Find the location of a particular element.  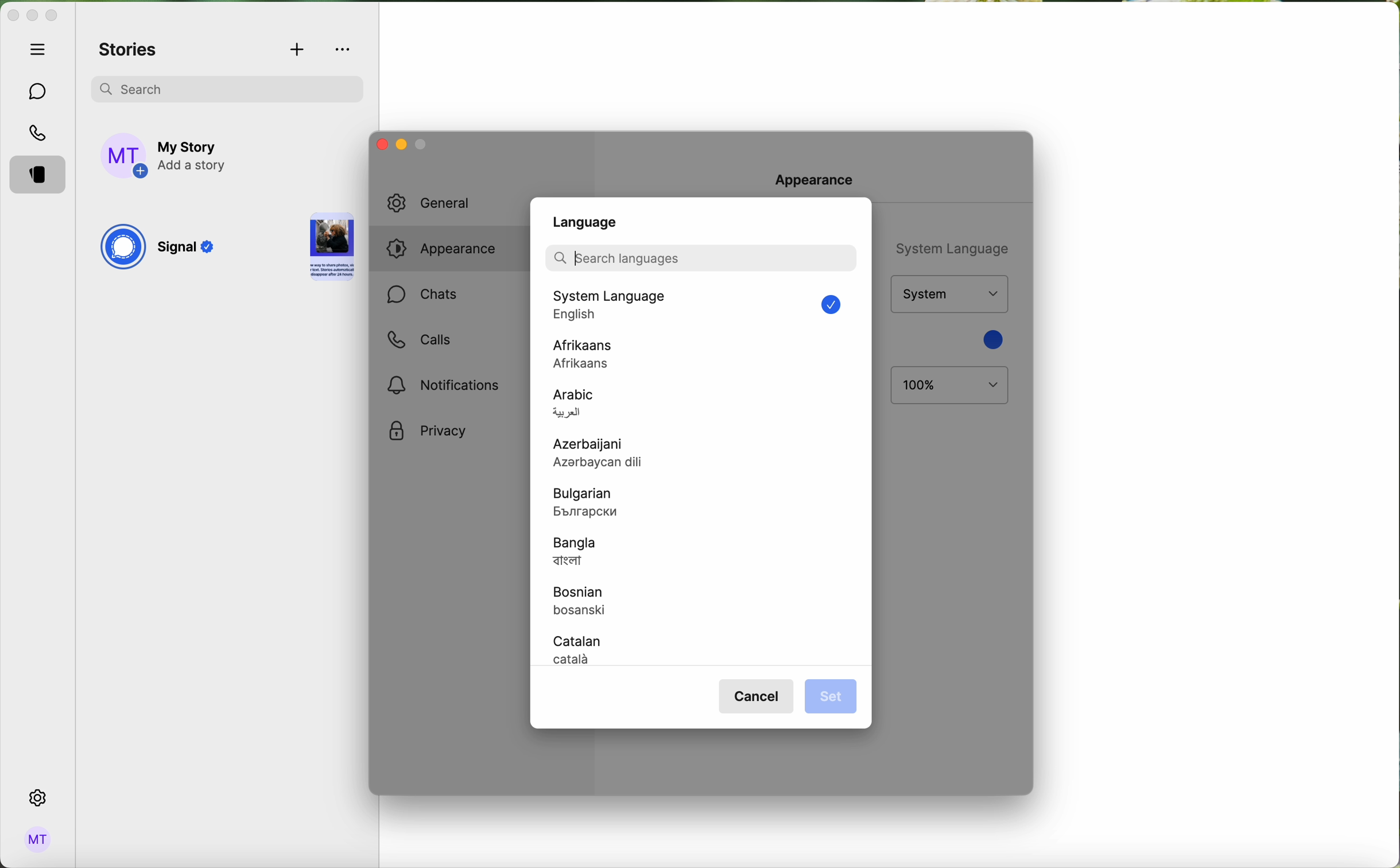

chats is located at coordinates (422, 296).